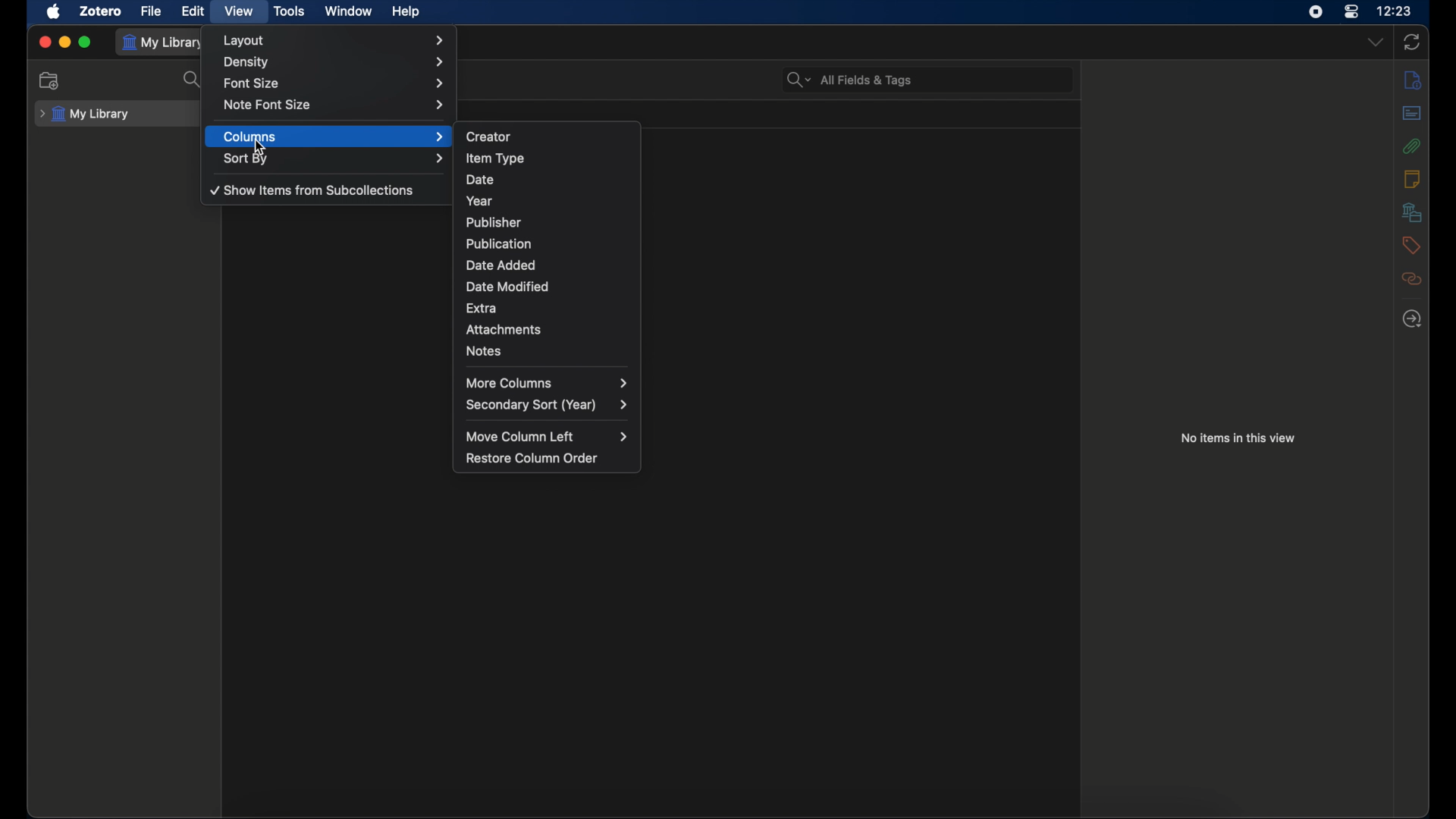 The image size is (1456, 819). What do you see at coordinates (194, 80) in the screenshot?
I see `search` at bounding box center [194, 80].